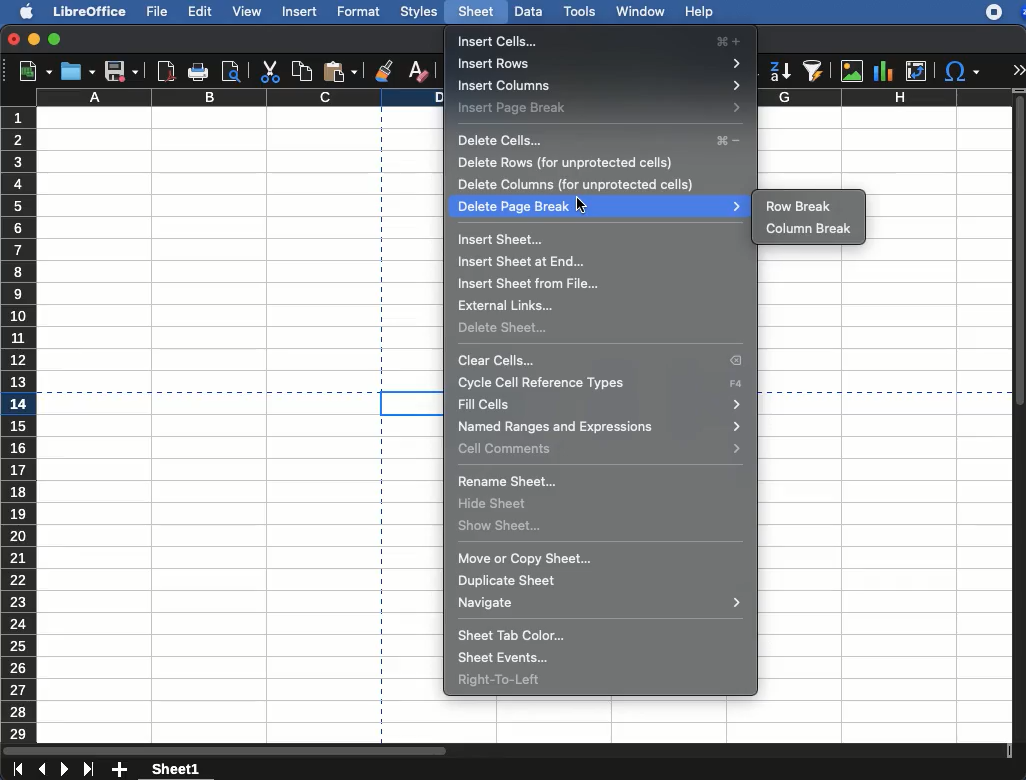 This screenshot has height=780, width=1026. What do you see at coordinates (603, 142) in the screenshot?
I see `delete cells` at bounding box center [603, 142].